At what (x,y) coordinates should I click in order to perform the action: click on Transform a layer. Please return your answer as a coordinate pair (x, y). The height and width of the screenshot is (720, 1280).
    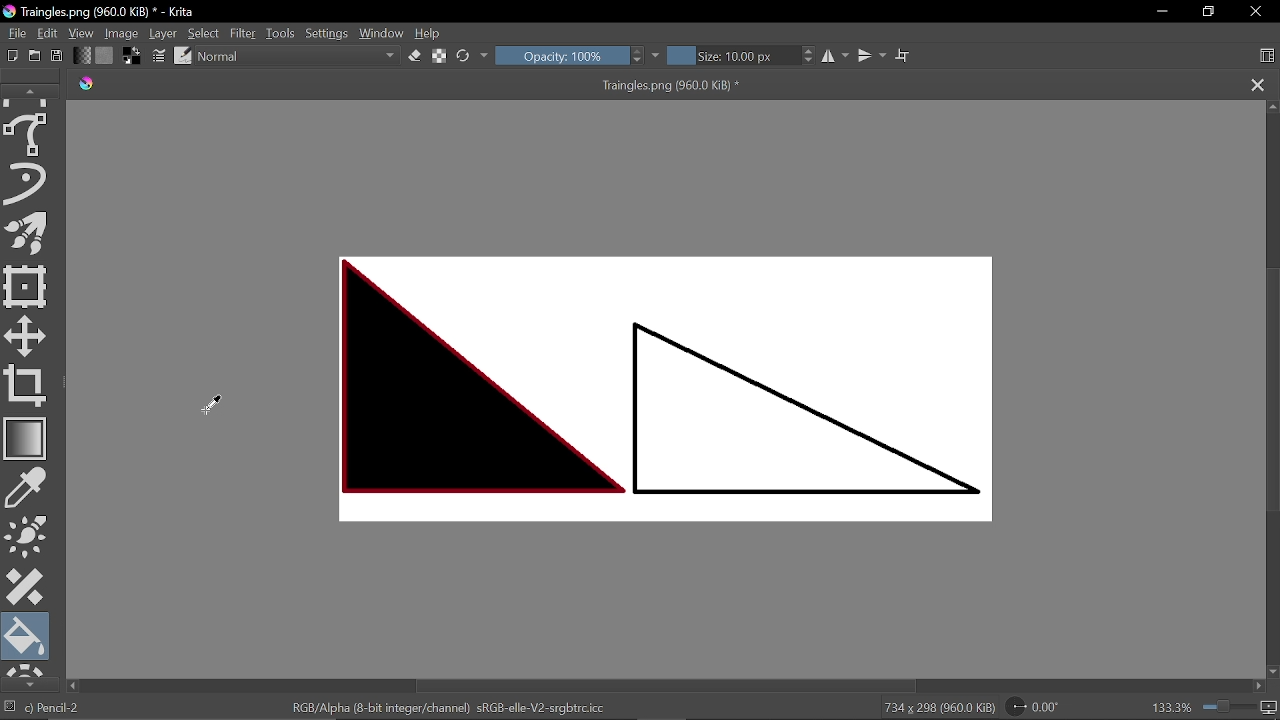
    Looking at the image, I should click on (26, 287).